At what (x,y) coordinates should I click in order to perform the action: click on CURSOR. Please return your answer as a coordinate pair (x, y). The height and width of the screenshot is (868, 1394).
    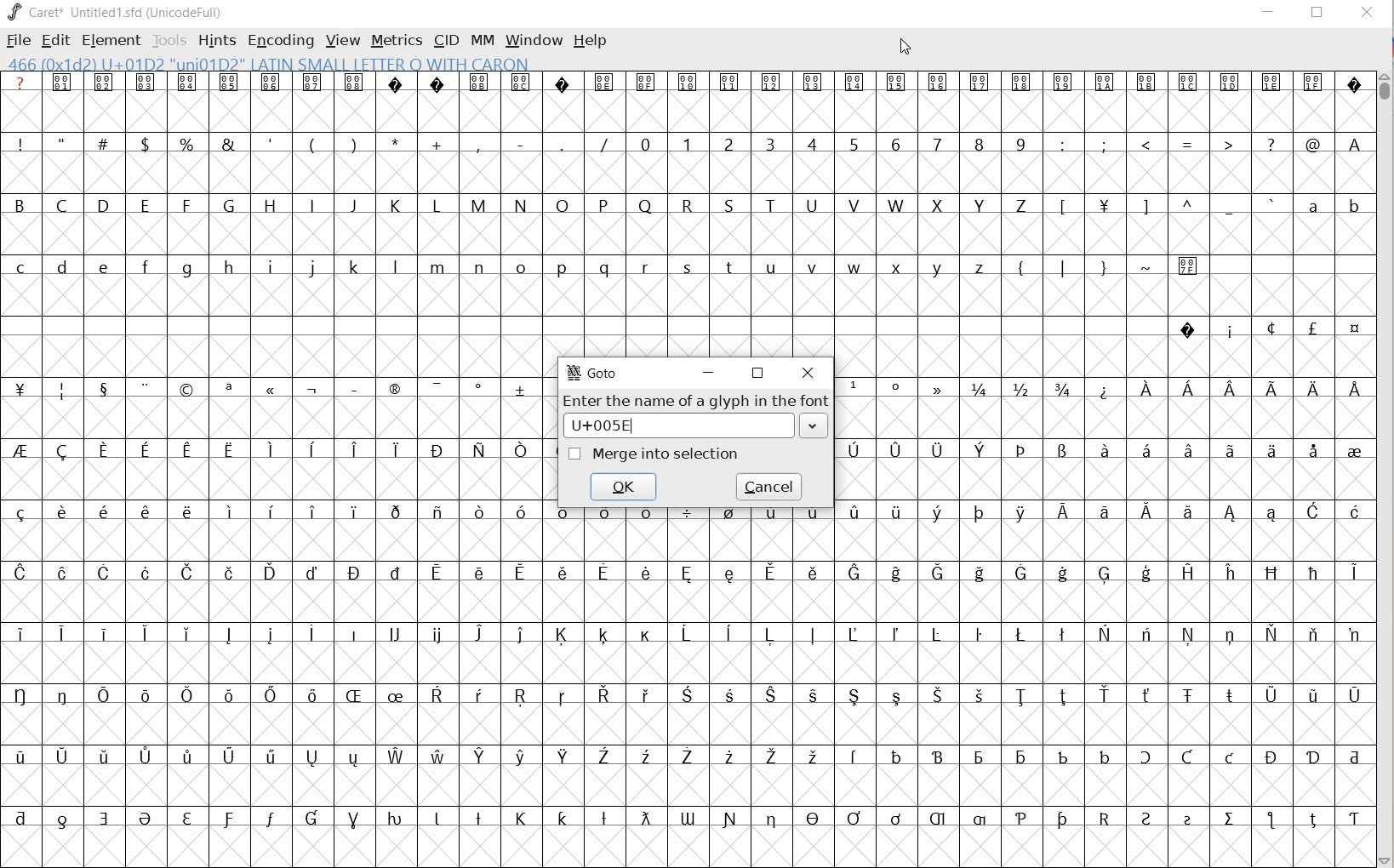
    Looking at the image, I should click on (908, 49).